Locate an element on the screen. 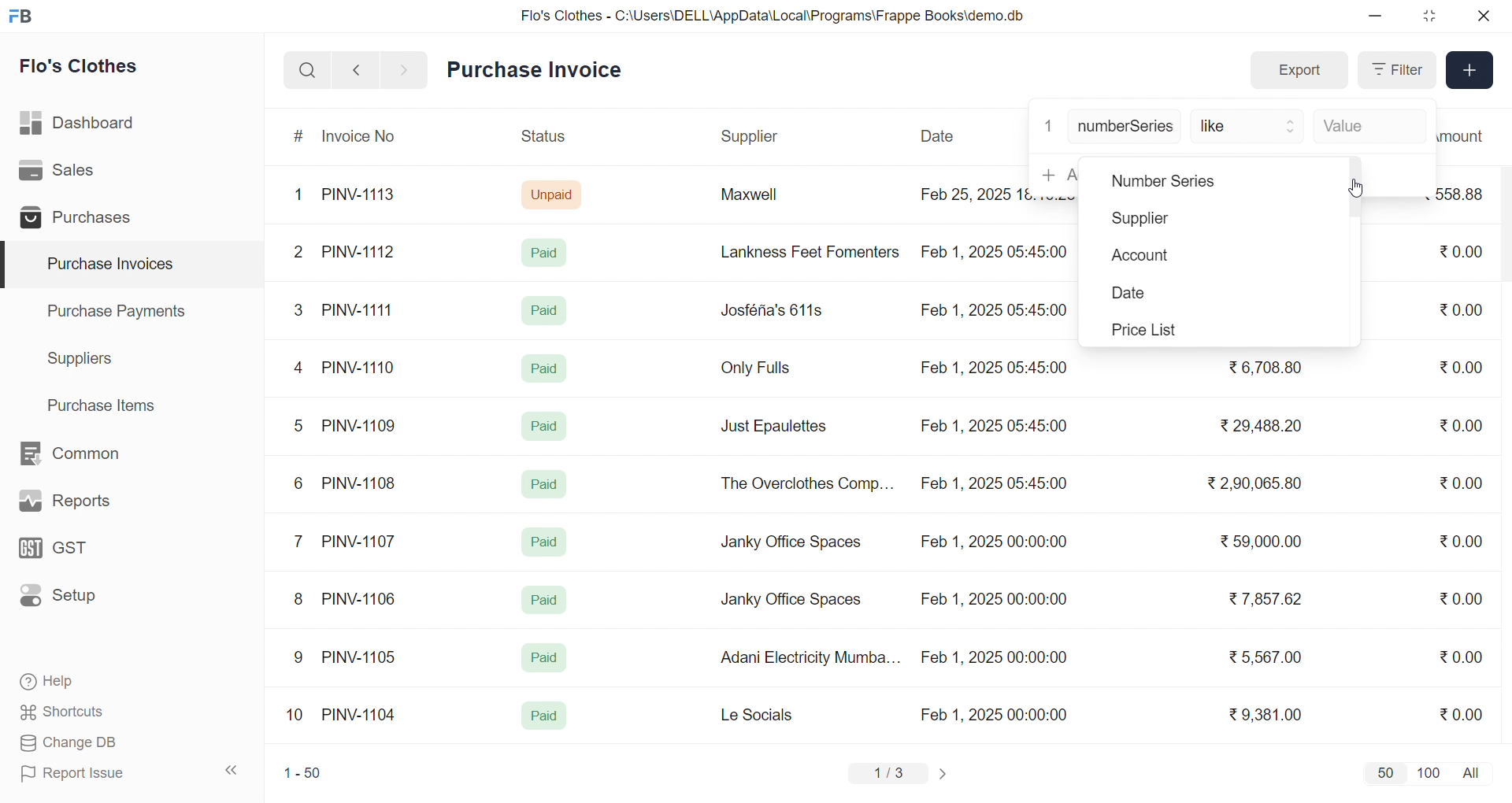 This screenshot has height=803, width=1512. PINV-1108 is located at coordinates (360, 483).